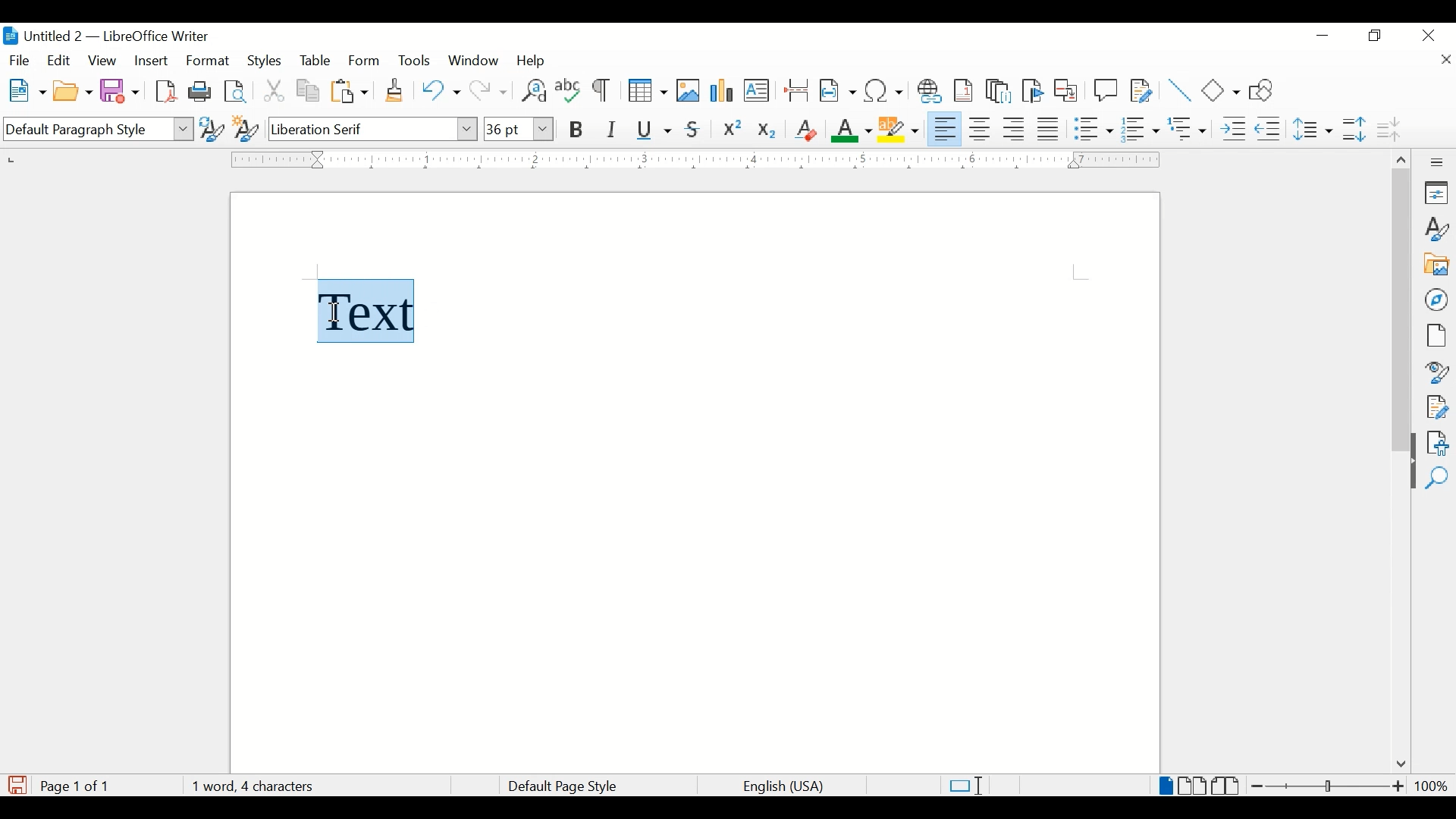 The height and width of the screenshot is (819, 1456). Describe the element at coordinates (1438, 370) in the screenshot. I see `style inspector` at that location.